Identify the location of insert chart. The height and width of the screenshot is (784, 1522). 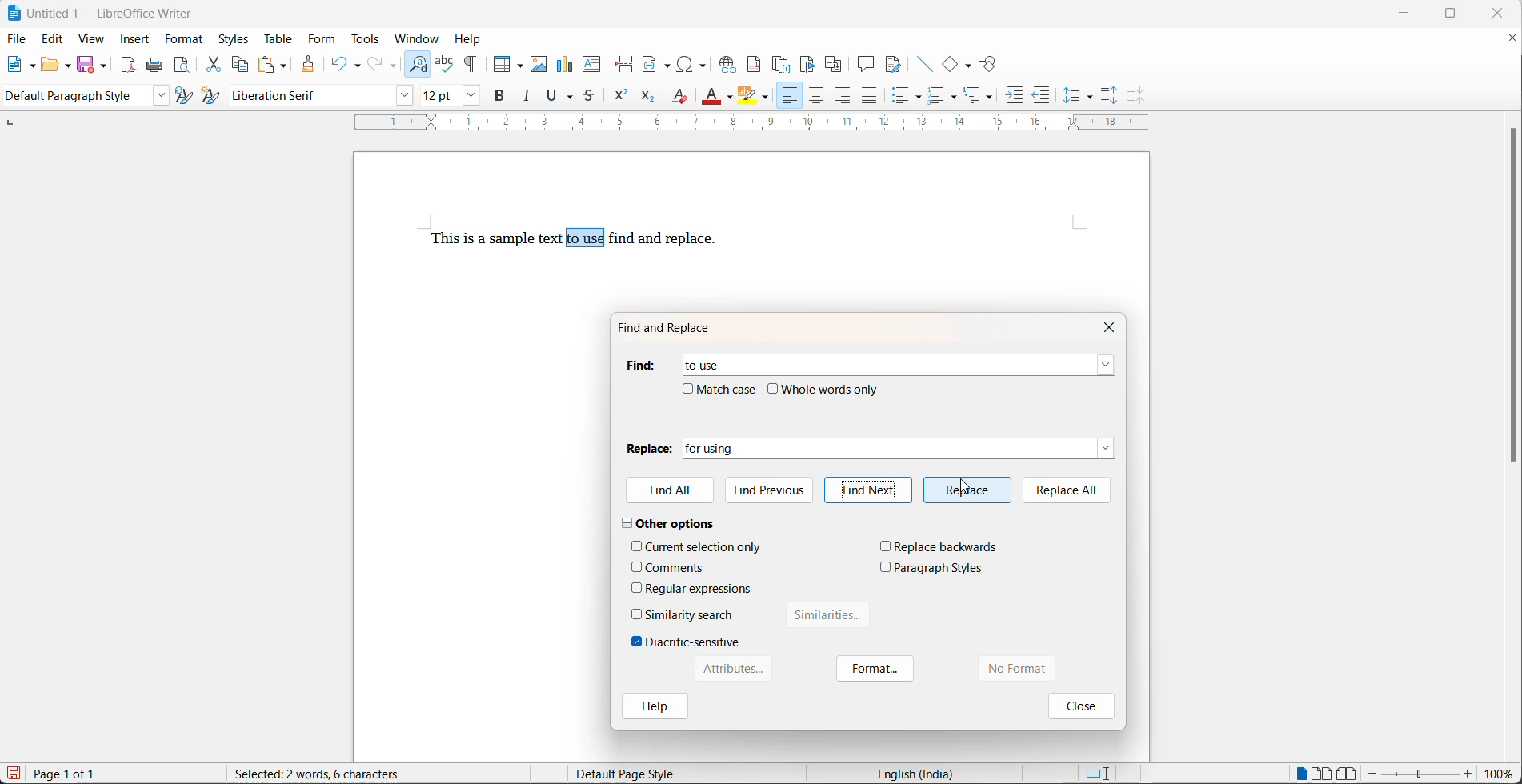
(567, 62).